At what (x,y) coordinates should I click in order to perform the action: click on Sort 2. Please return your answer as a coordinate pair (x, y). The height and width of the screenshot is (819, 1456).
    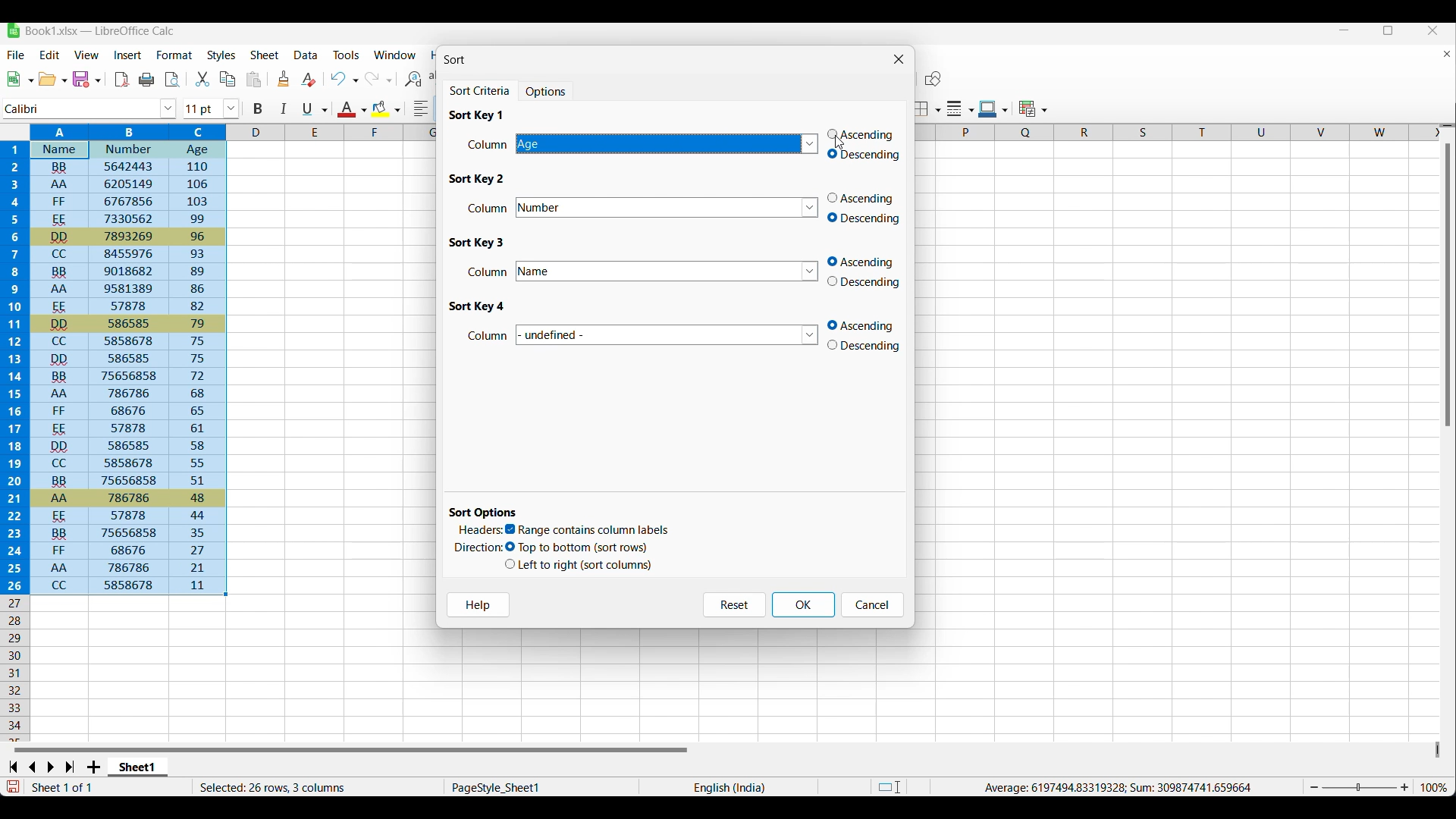
    Looking at the image, I should click on (479, 179).